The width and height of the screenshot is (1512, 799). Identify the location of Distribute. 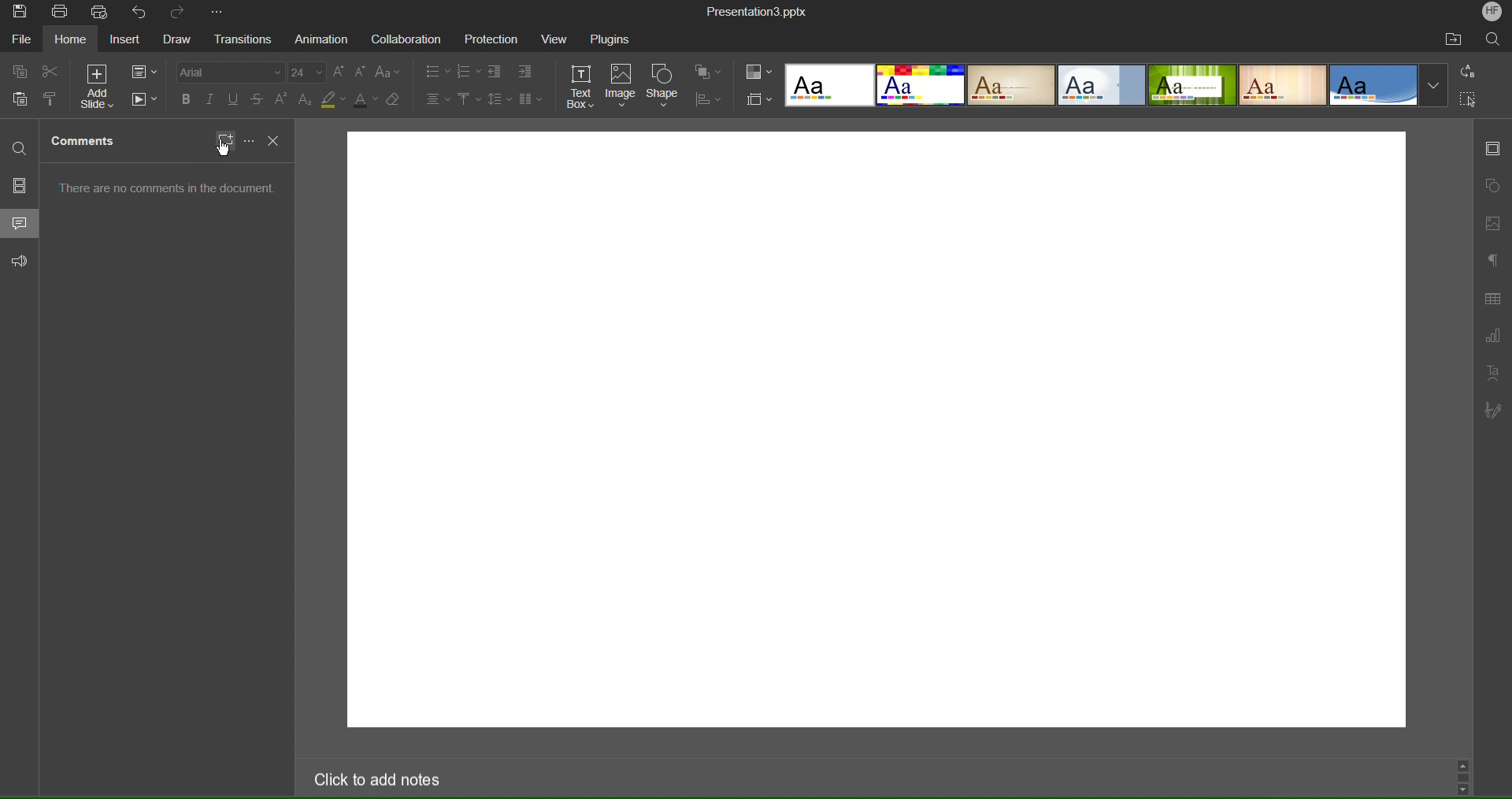
(706, 100).